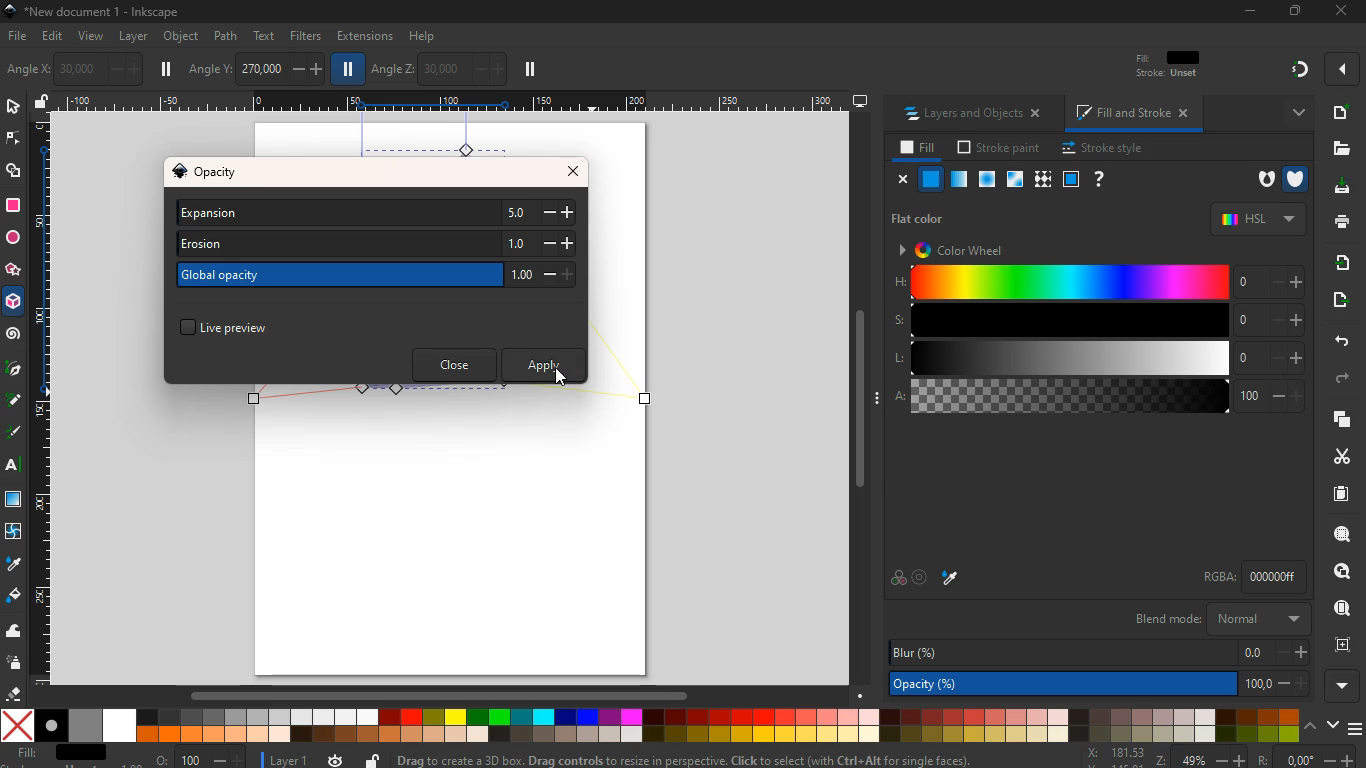 This screenshot has width=1366, height=768. Describe the element at coordinates (349, 70) in the screenshot. I see `pause` at that location.